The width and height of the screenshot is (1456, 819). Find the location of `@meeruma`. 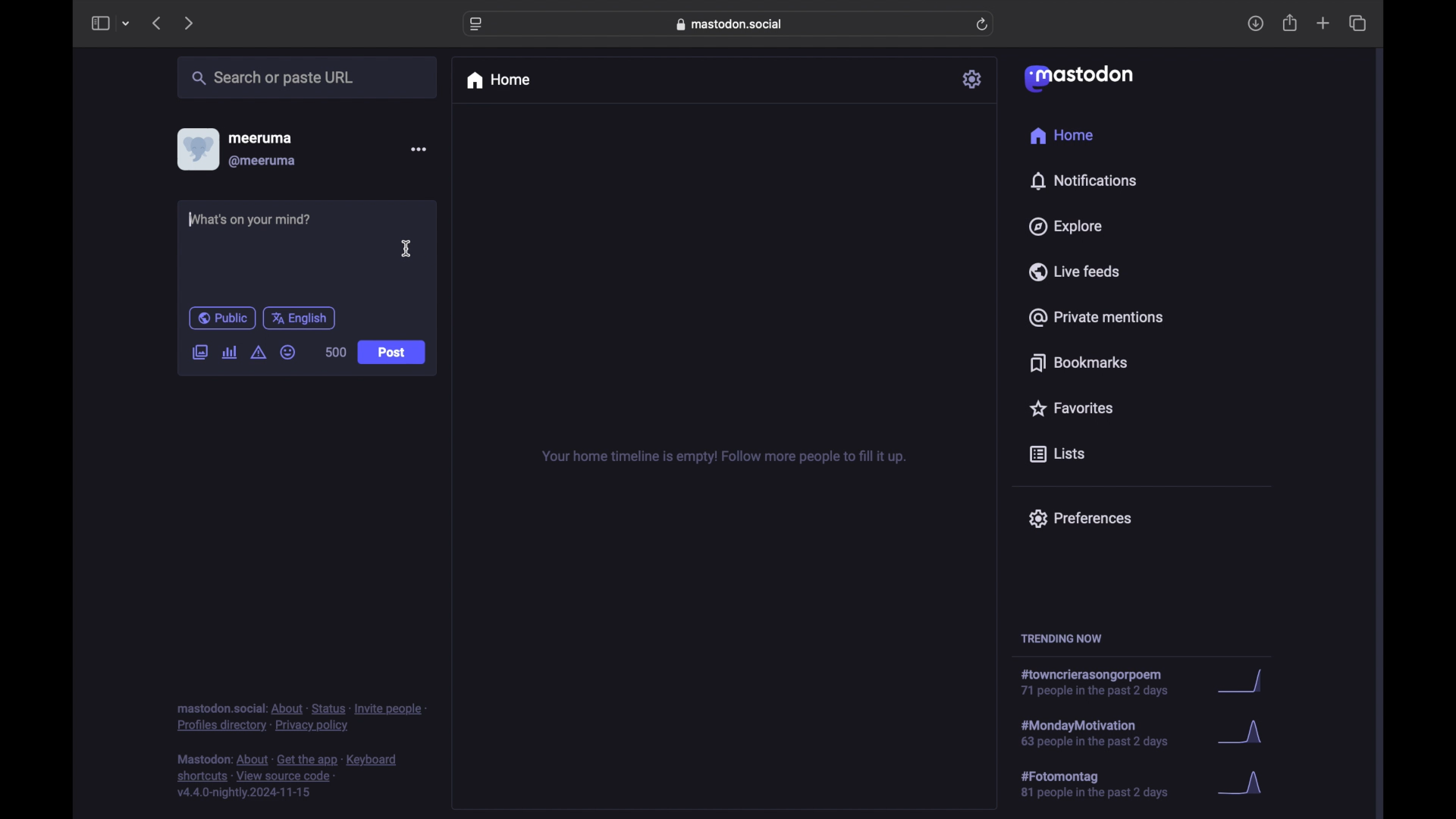

@meeruma is located at coordinates (264, 162).